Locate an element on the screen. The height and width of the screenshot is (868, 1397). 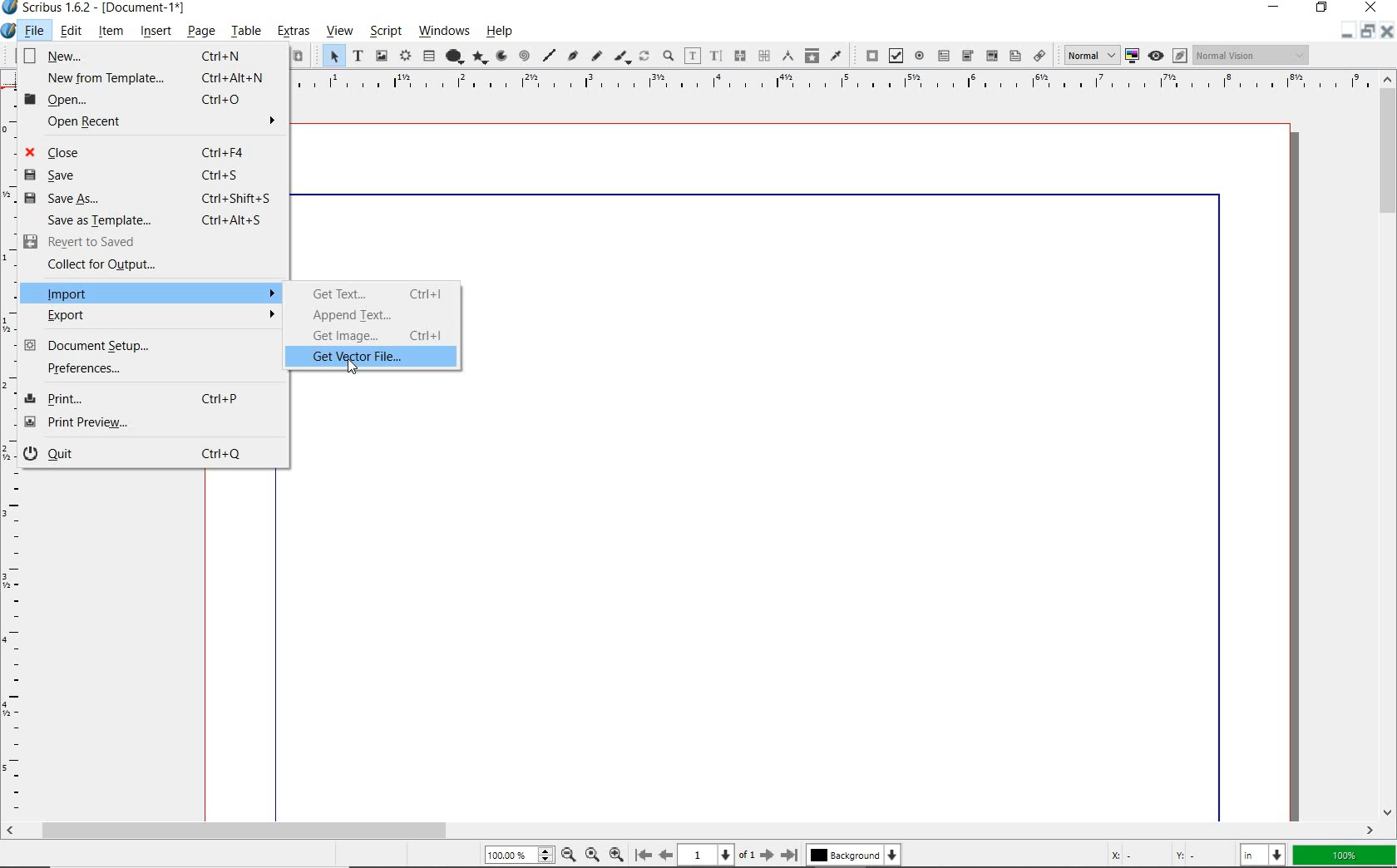
file is located at coordinates (37, 30).